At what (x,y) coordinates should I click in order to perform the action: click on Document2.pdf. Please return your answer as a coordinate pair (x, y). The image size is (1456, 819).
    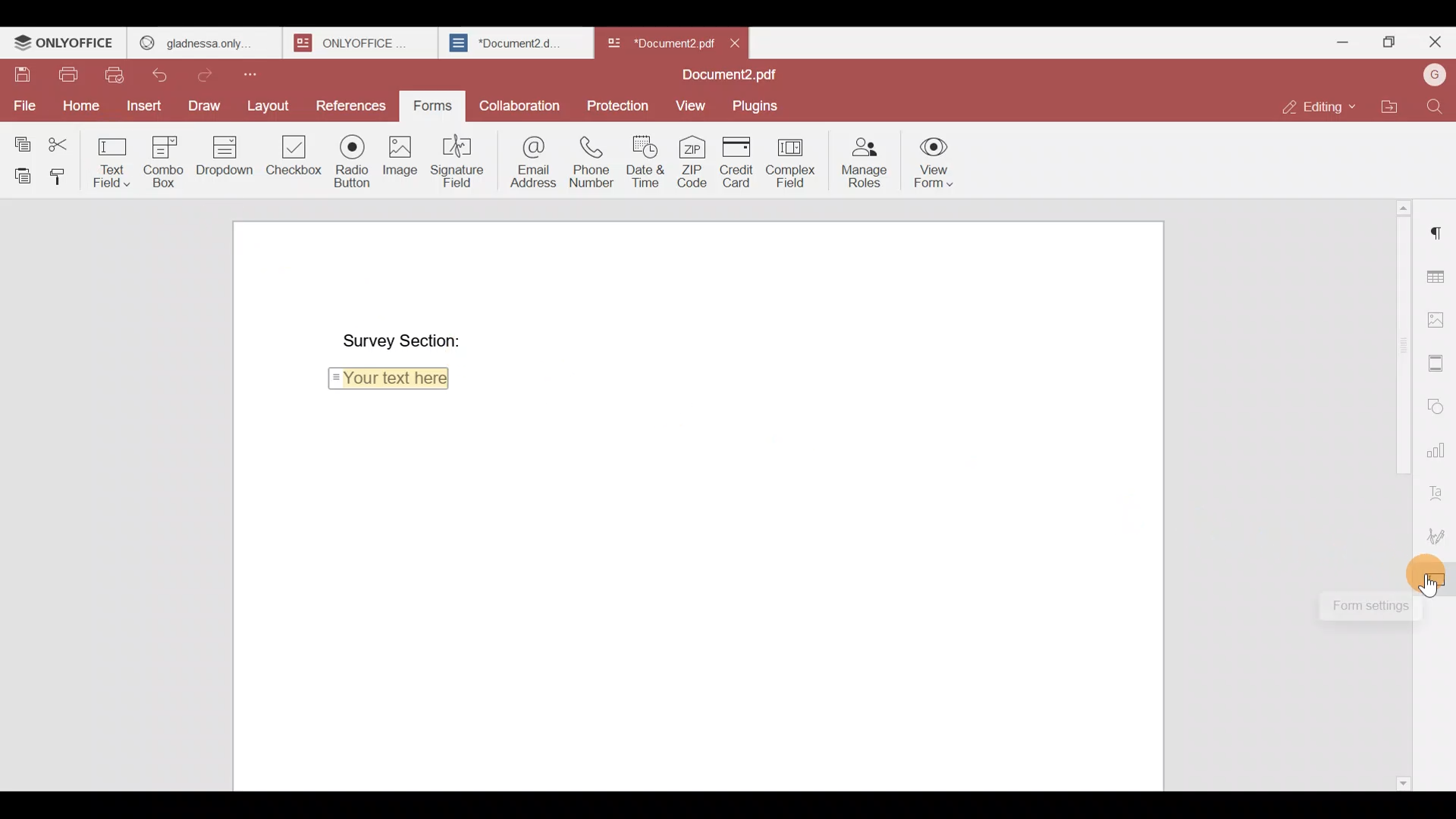
    Looking at the image, I should click on (724, 76).